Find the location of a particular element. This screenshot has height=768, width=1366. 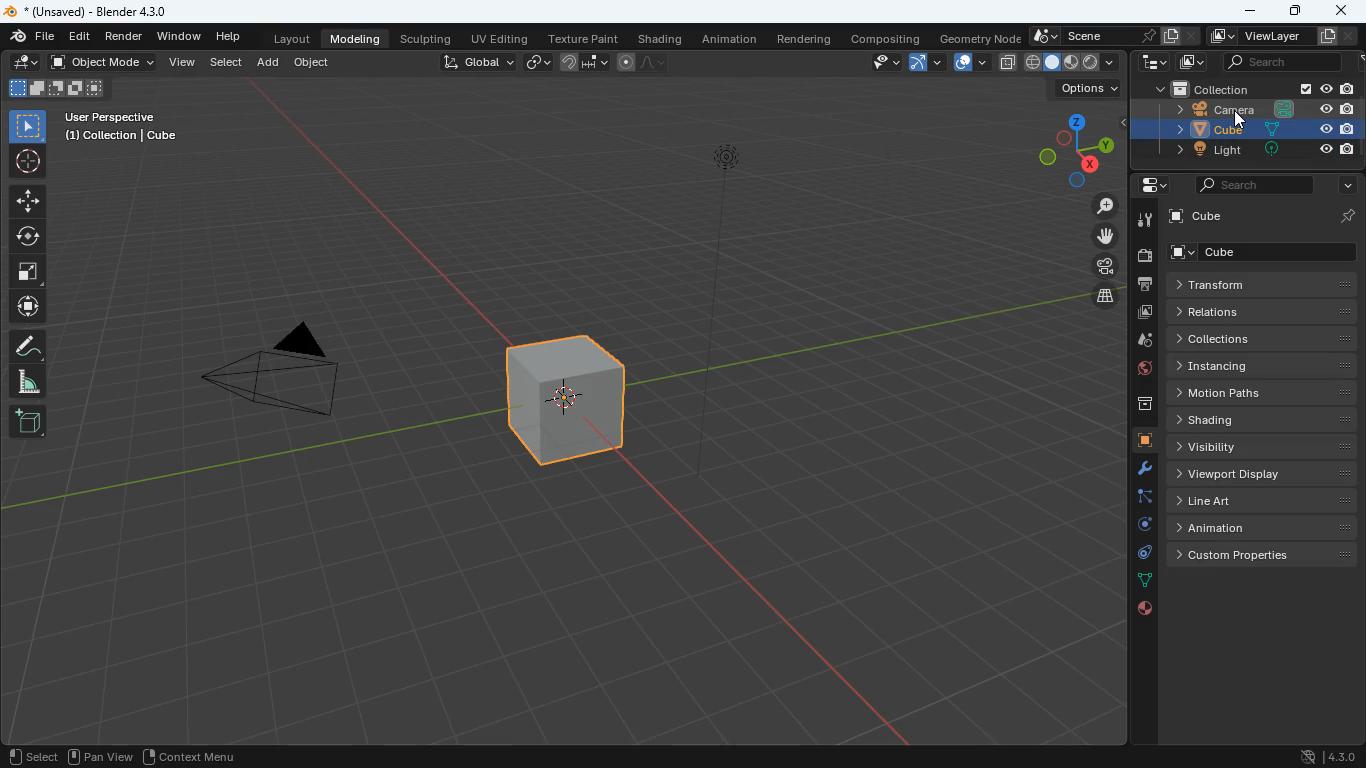

object is located at coordinates (310, 64).